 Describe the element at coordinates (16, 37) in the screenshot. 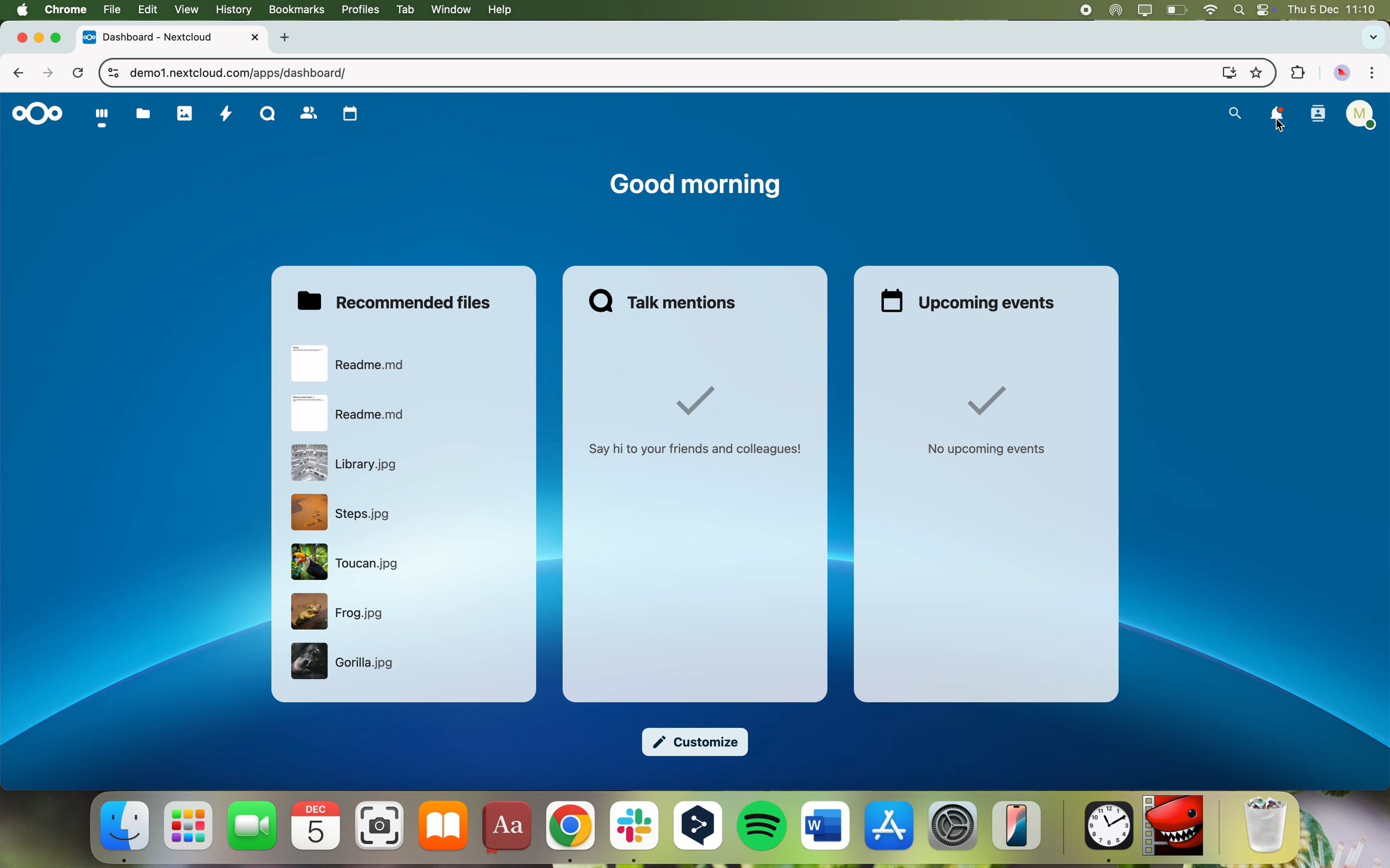

I see `close tab` at that location.